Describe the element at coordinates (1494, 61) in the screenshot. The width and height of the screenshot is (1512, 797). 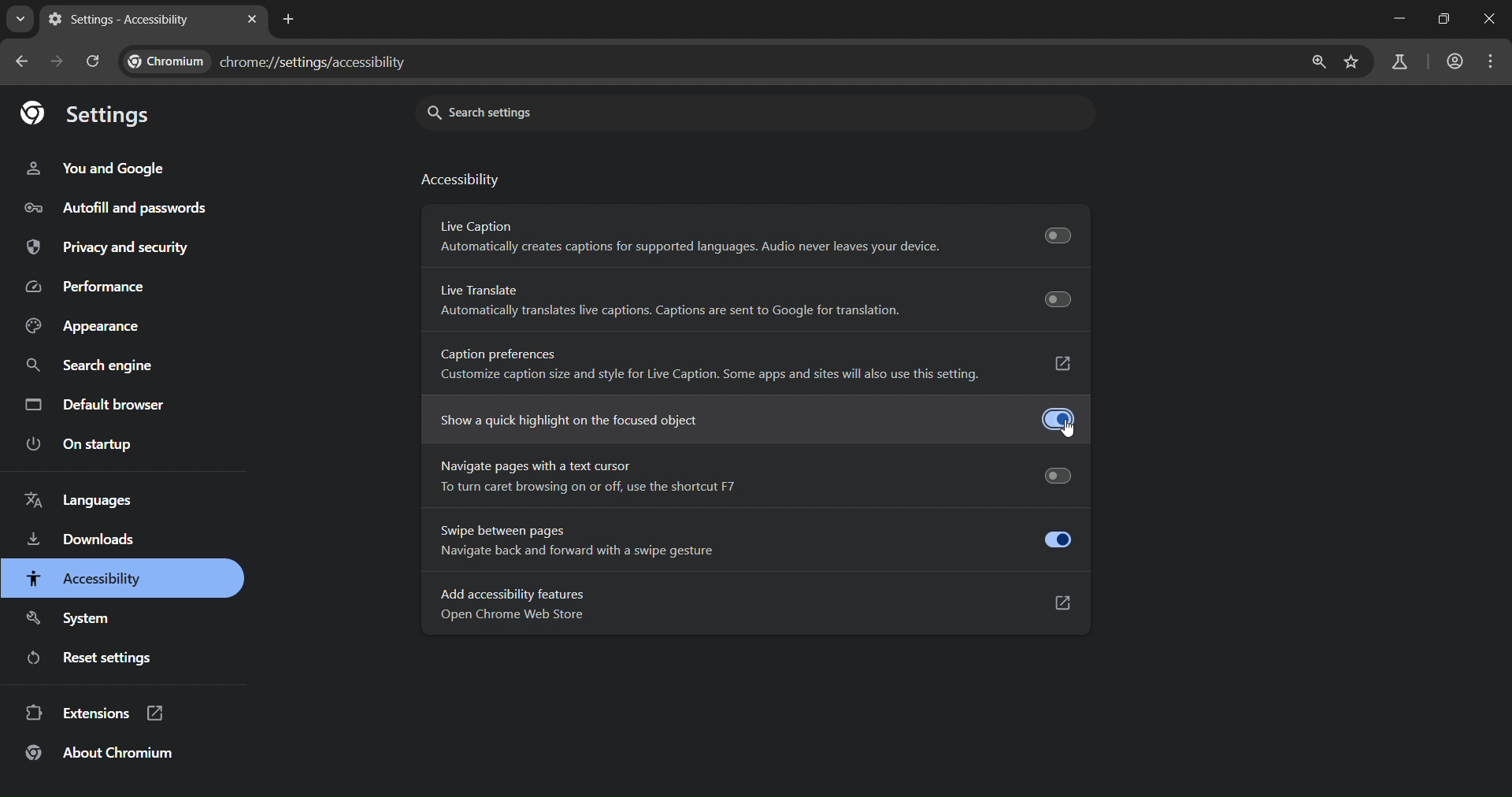
I see `menu` at that location.